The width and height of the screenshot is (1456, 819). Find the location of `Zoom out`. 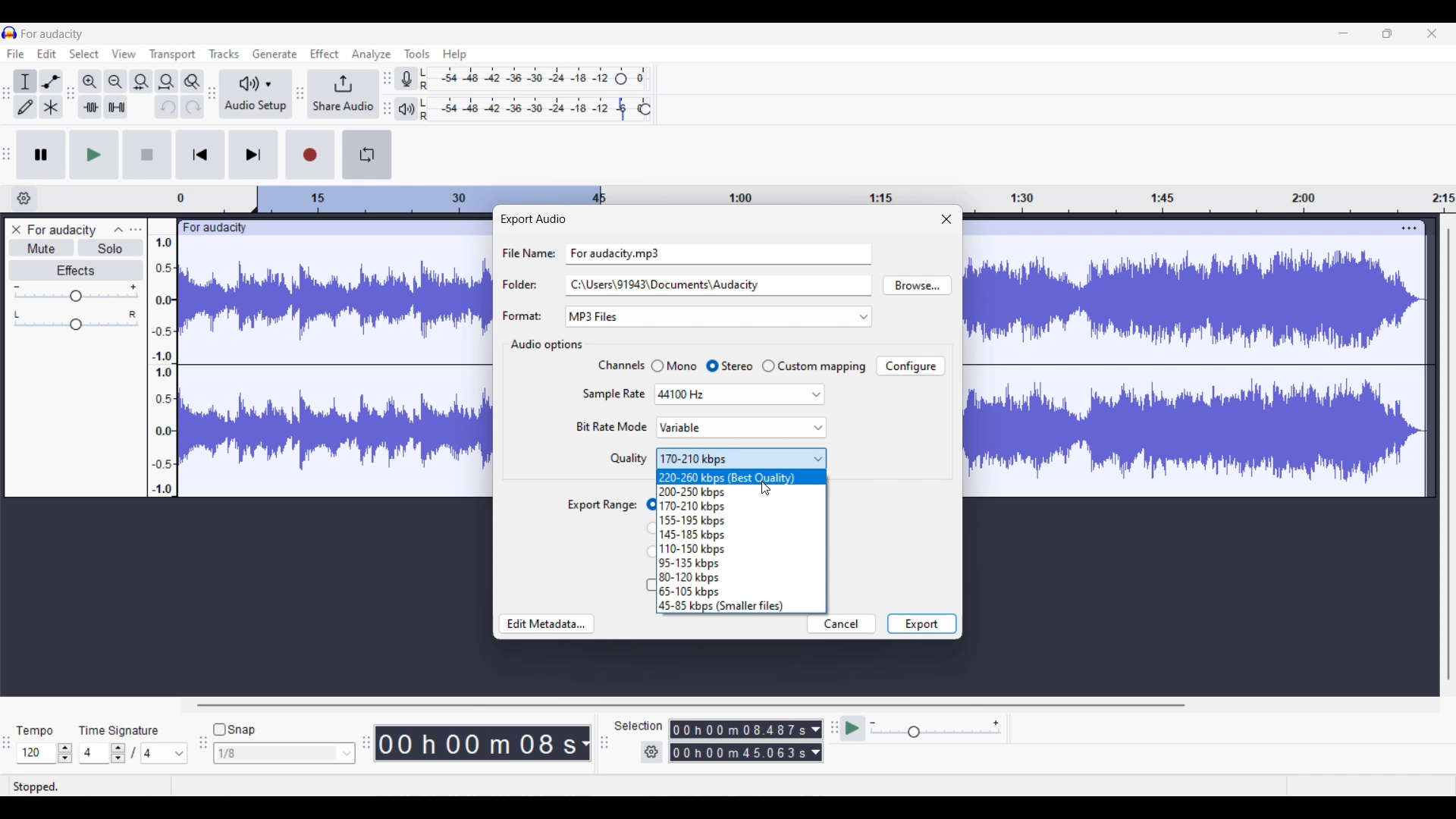

Zoom out is located at coordinates (115, 82).